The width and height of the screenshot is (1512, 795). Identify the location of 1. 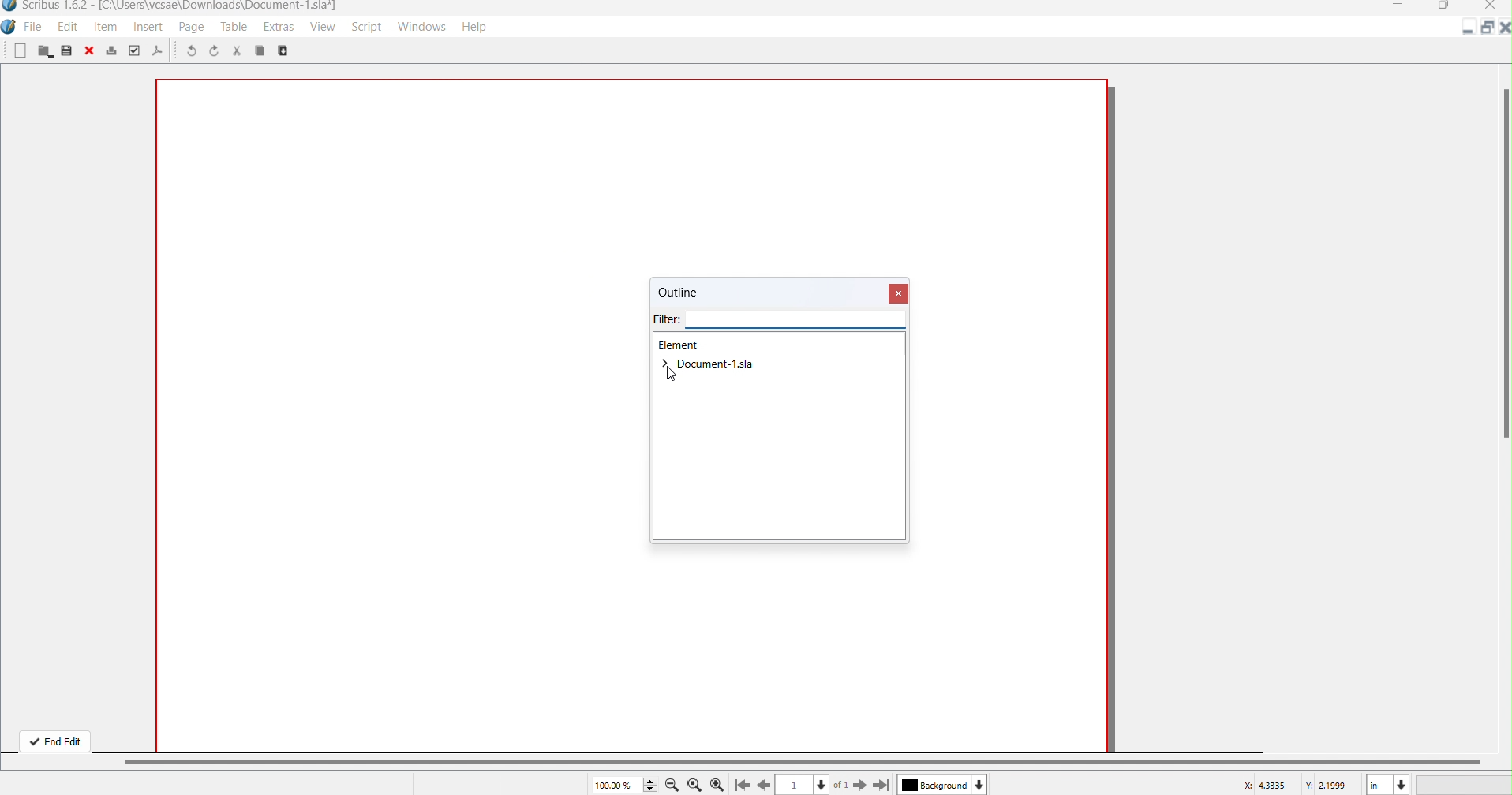
(795, 785).